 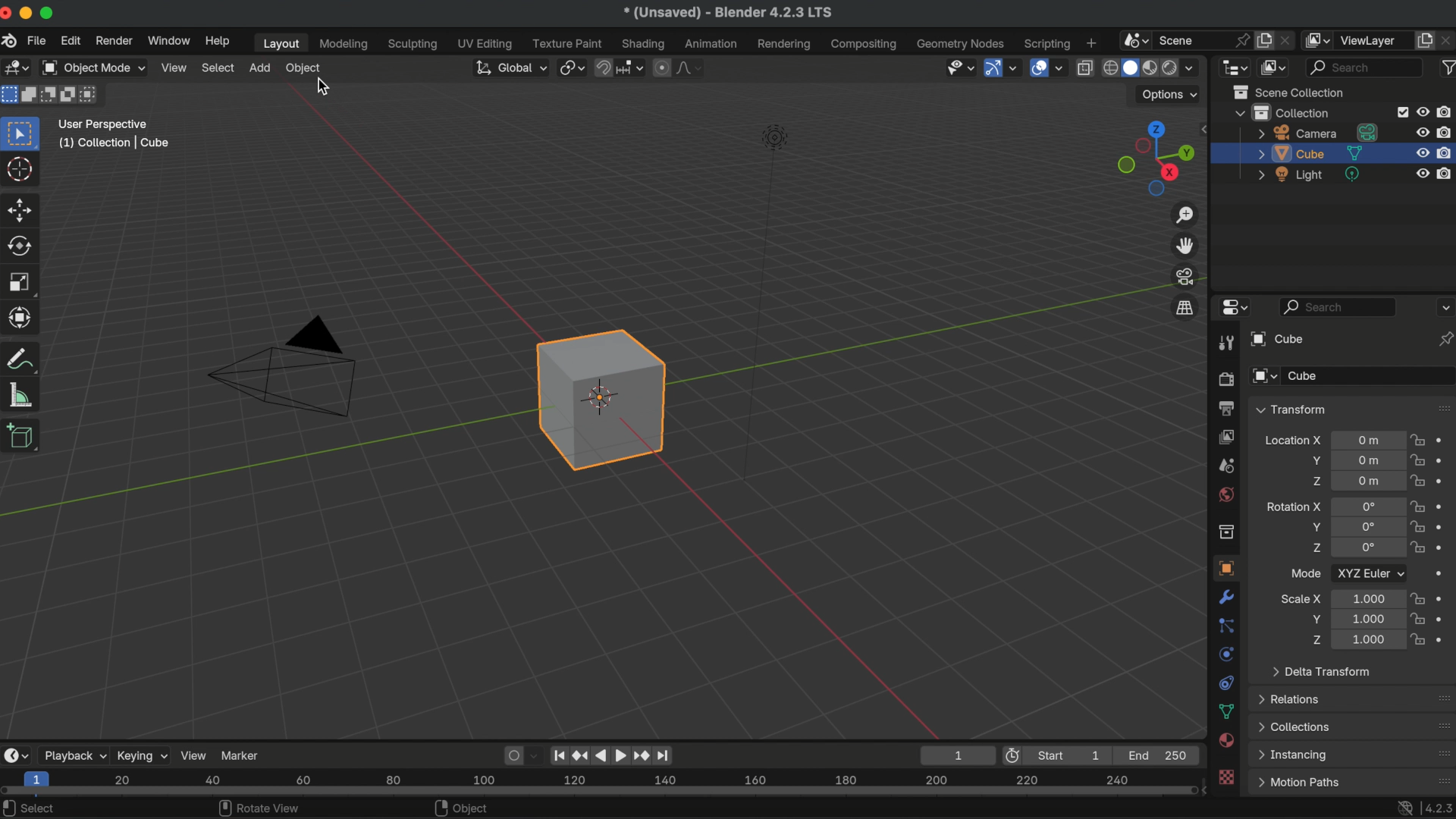 I want to click on 1, so click(x=955, y=755).